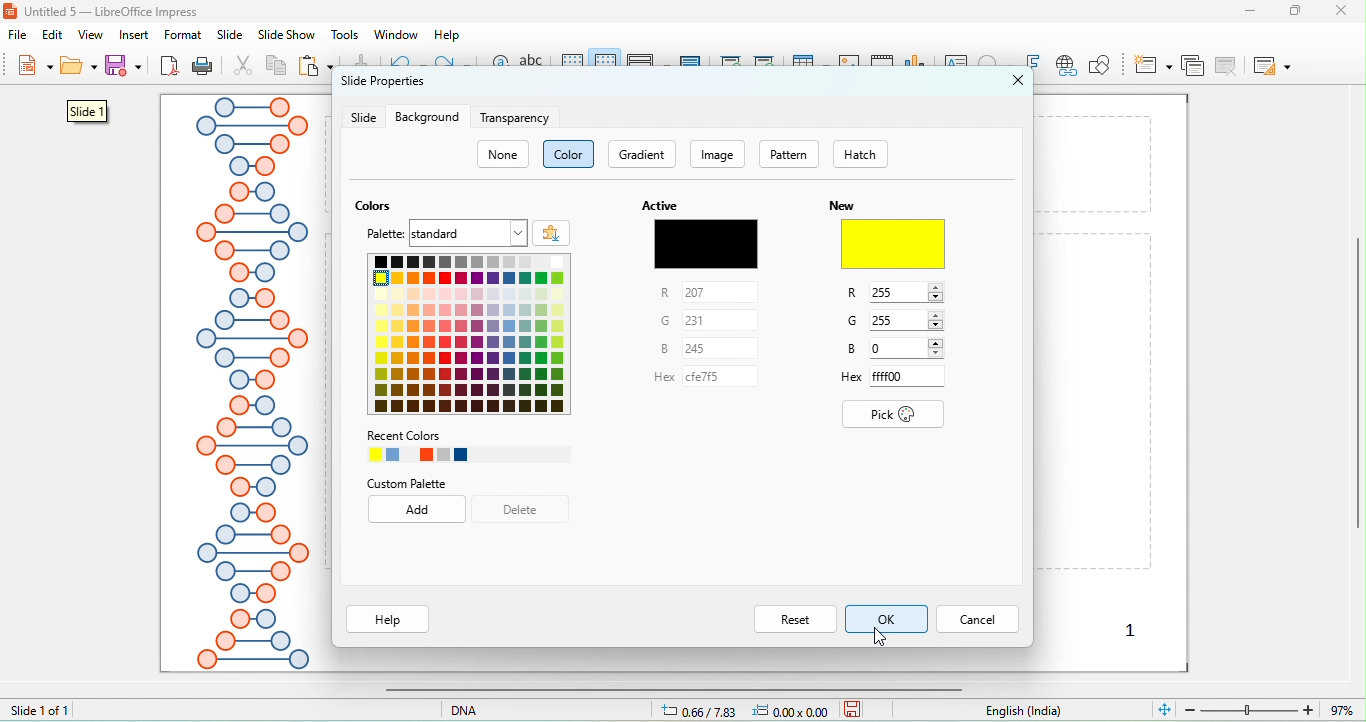 This screenshot has width=1366, height=722. What do you see at coordinates (105, 11) in the screenshot?
I see `title` at bounding box center [105, 11].